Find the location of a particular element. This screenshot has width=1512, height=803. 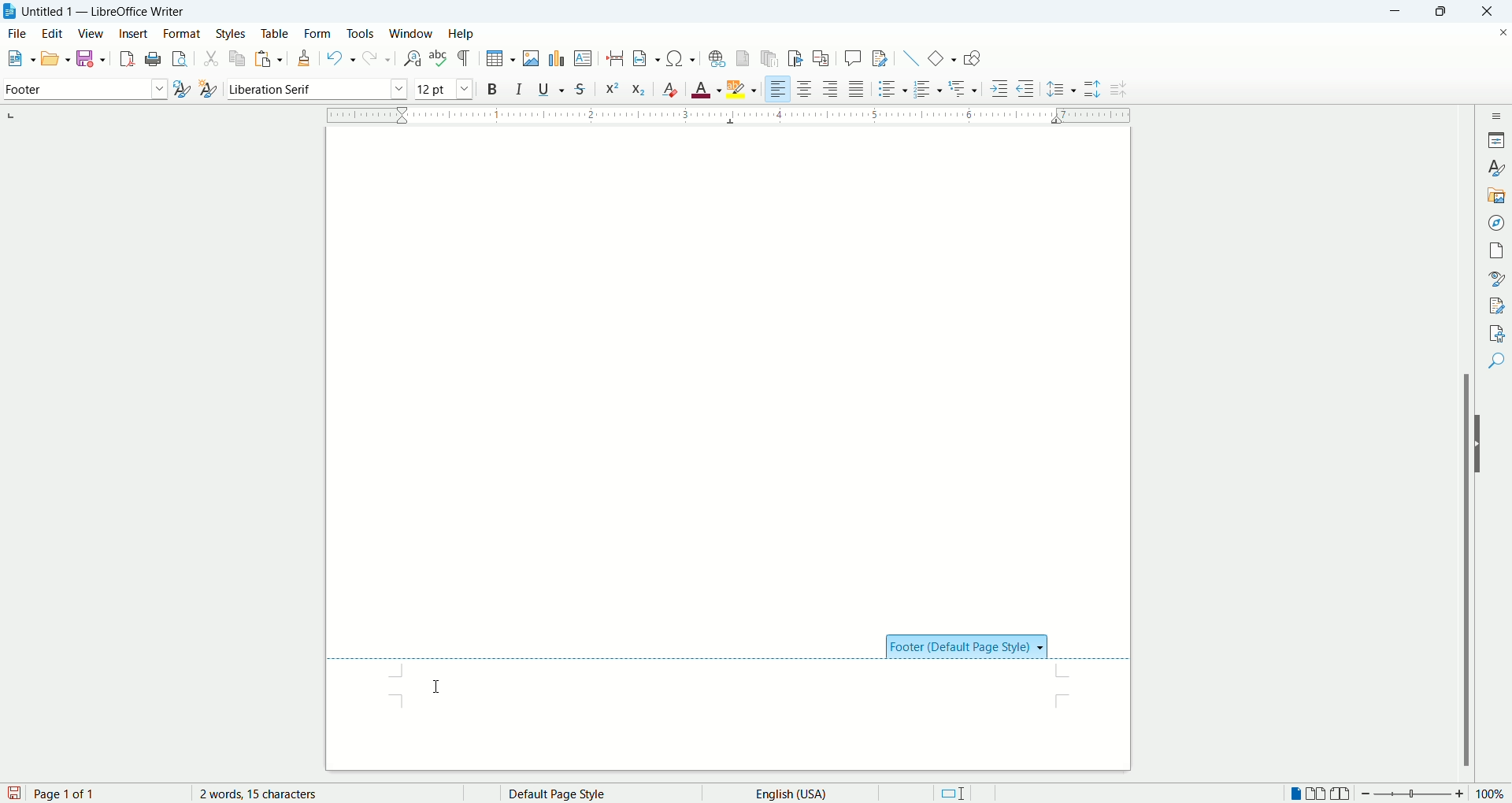

close is located at coordinates (1492, 11).